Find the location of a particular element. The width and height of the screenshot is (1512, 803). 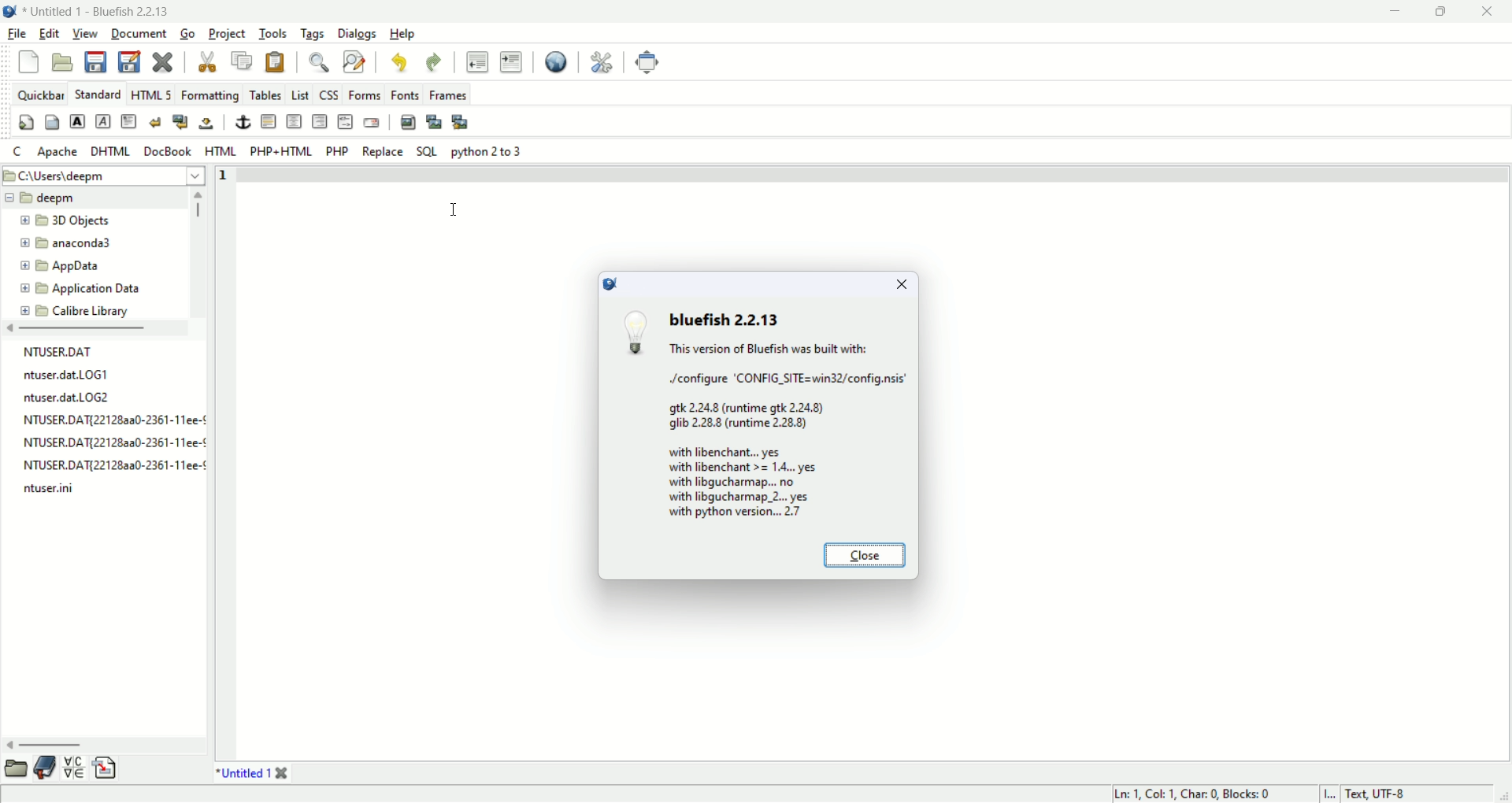

insert thumbnail is located at coordinates (435, 122).